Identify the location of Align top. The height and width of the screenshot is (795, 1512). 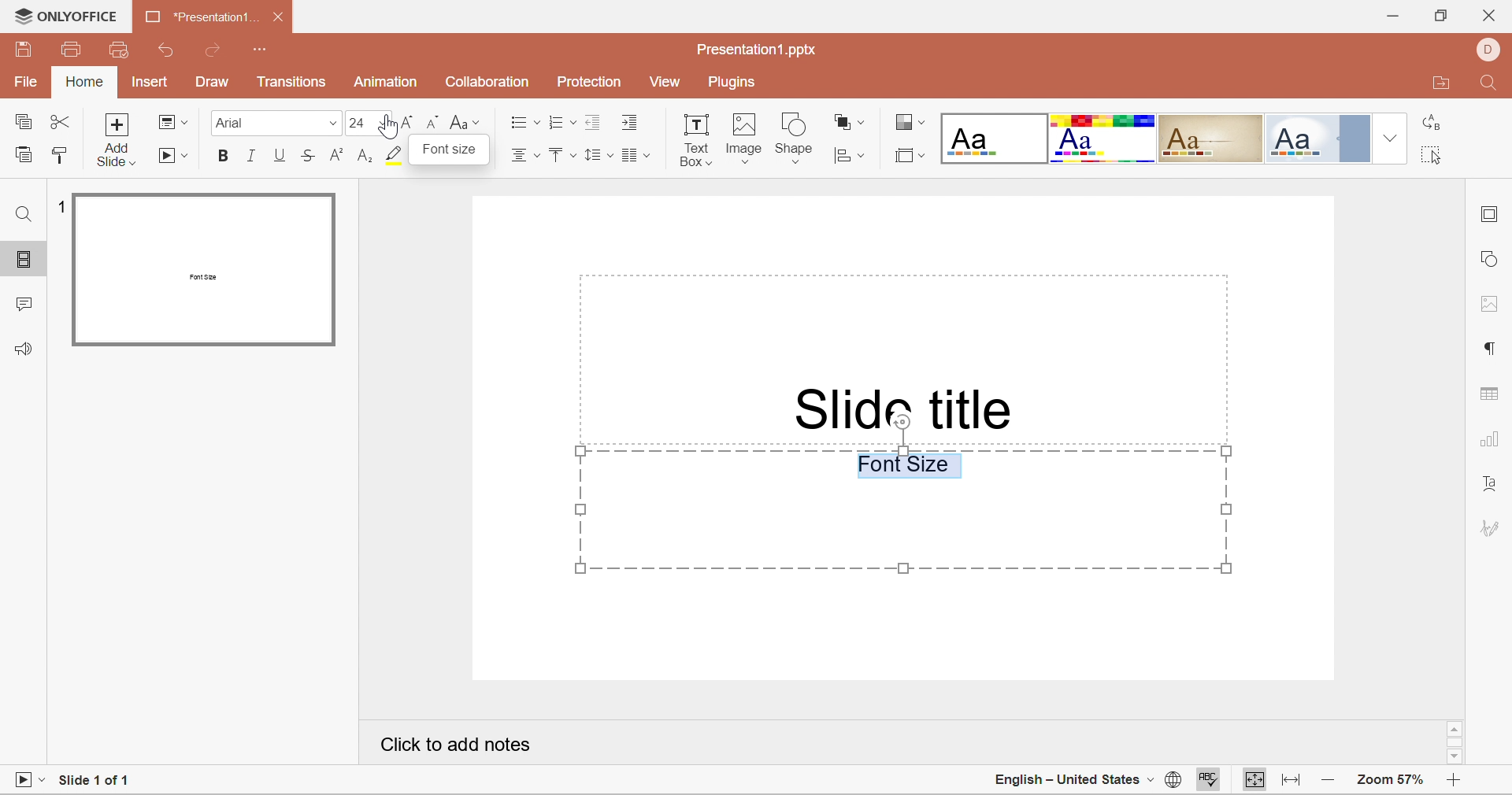
(563, 158).